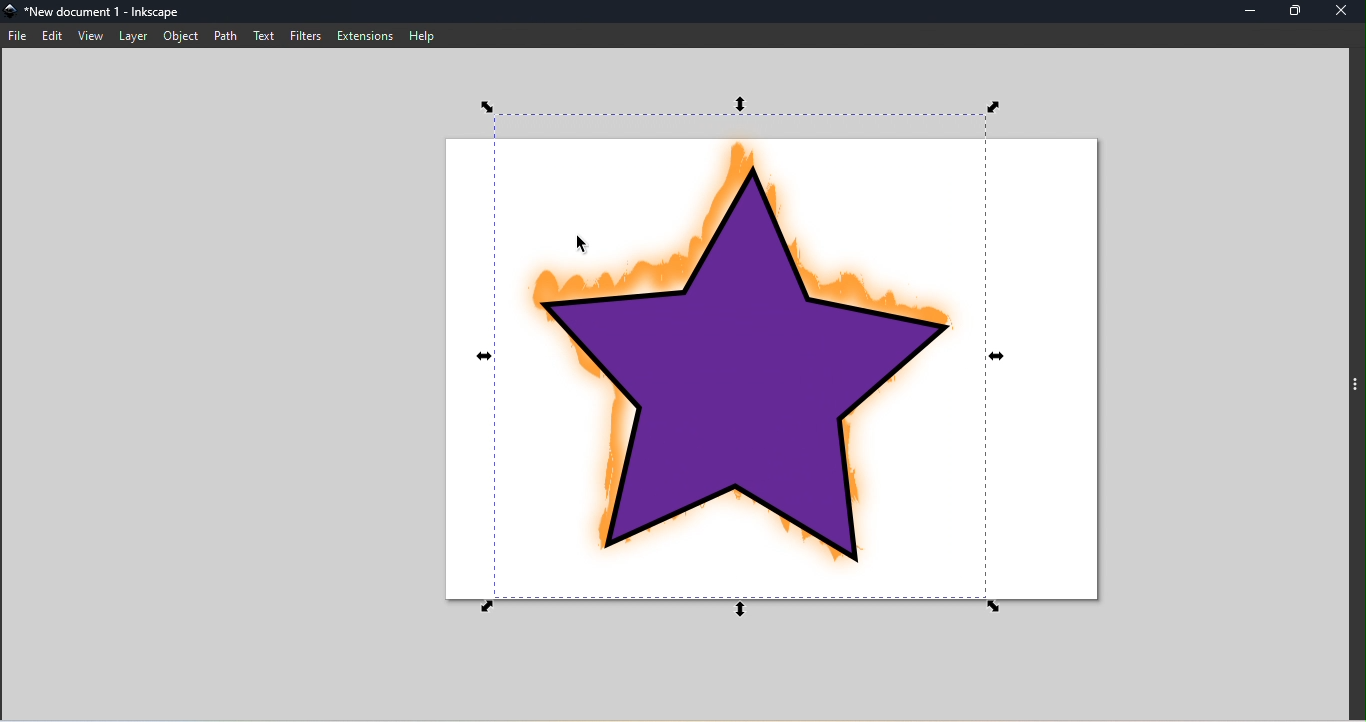 The image size is (1366, 722). I want to click on View, so click(91, 38).